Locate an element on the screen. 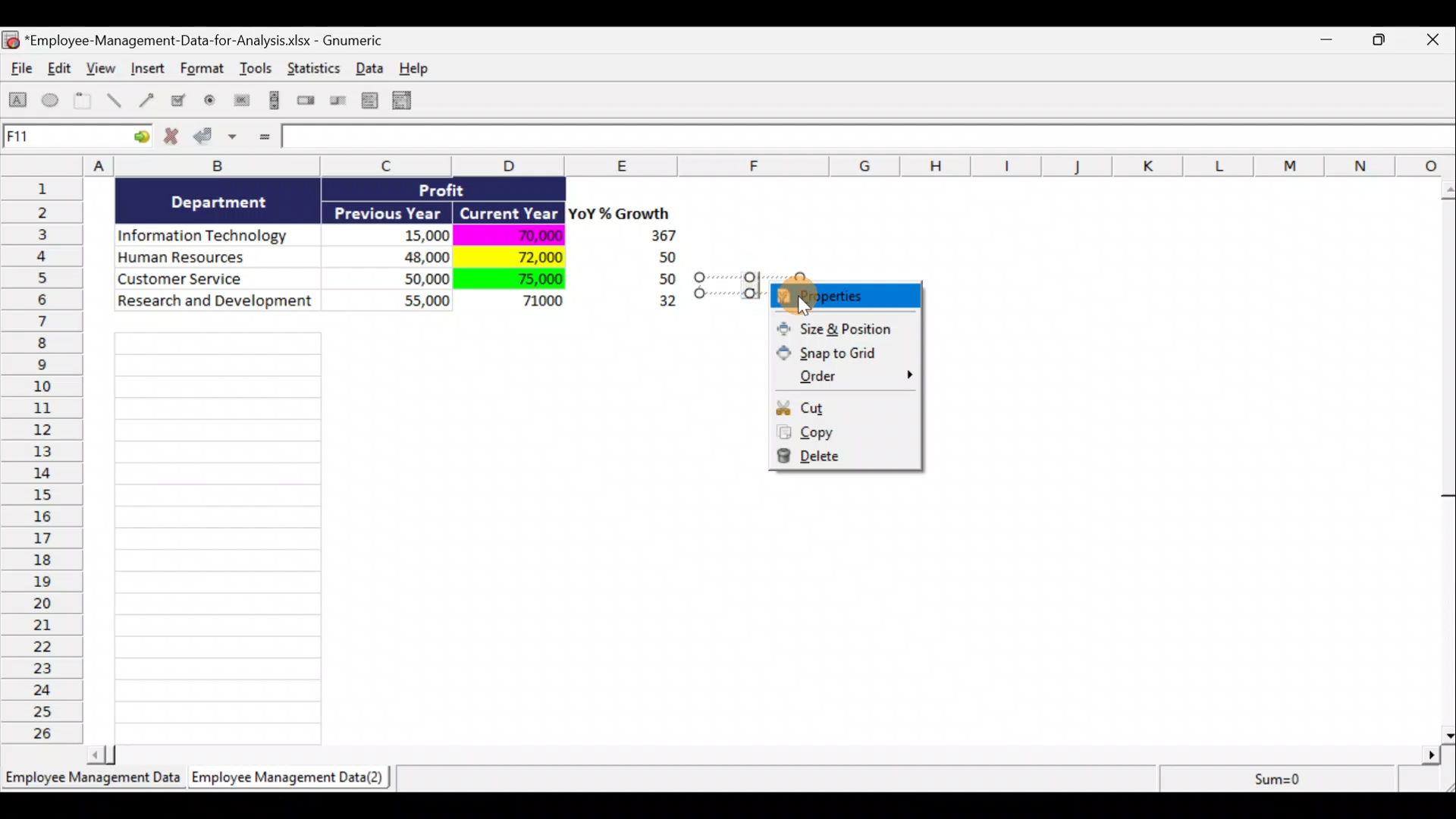 The width and height of the screenshot is (1456, 819). Size & position is located at coordinates (839, 328).